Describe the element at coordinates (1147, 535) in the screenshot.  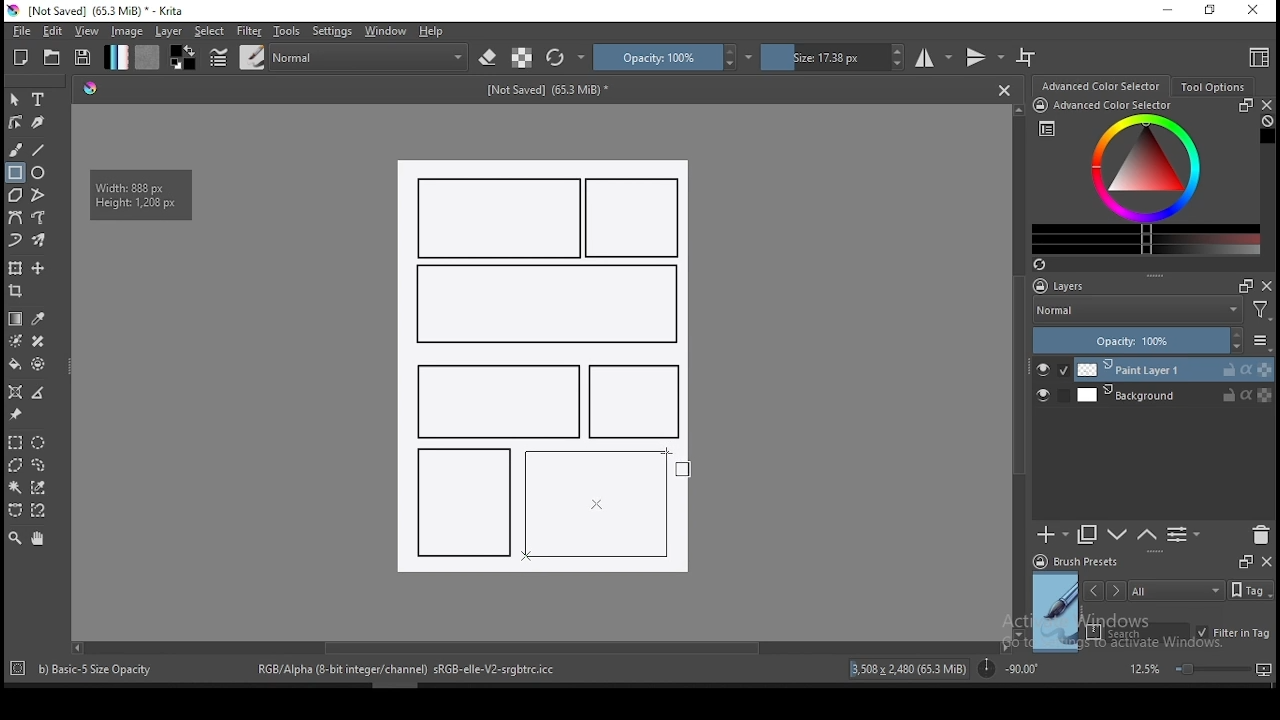
I see `move layer one step down` at that location.